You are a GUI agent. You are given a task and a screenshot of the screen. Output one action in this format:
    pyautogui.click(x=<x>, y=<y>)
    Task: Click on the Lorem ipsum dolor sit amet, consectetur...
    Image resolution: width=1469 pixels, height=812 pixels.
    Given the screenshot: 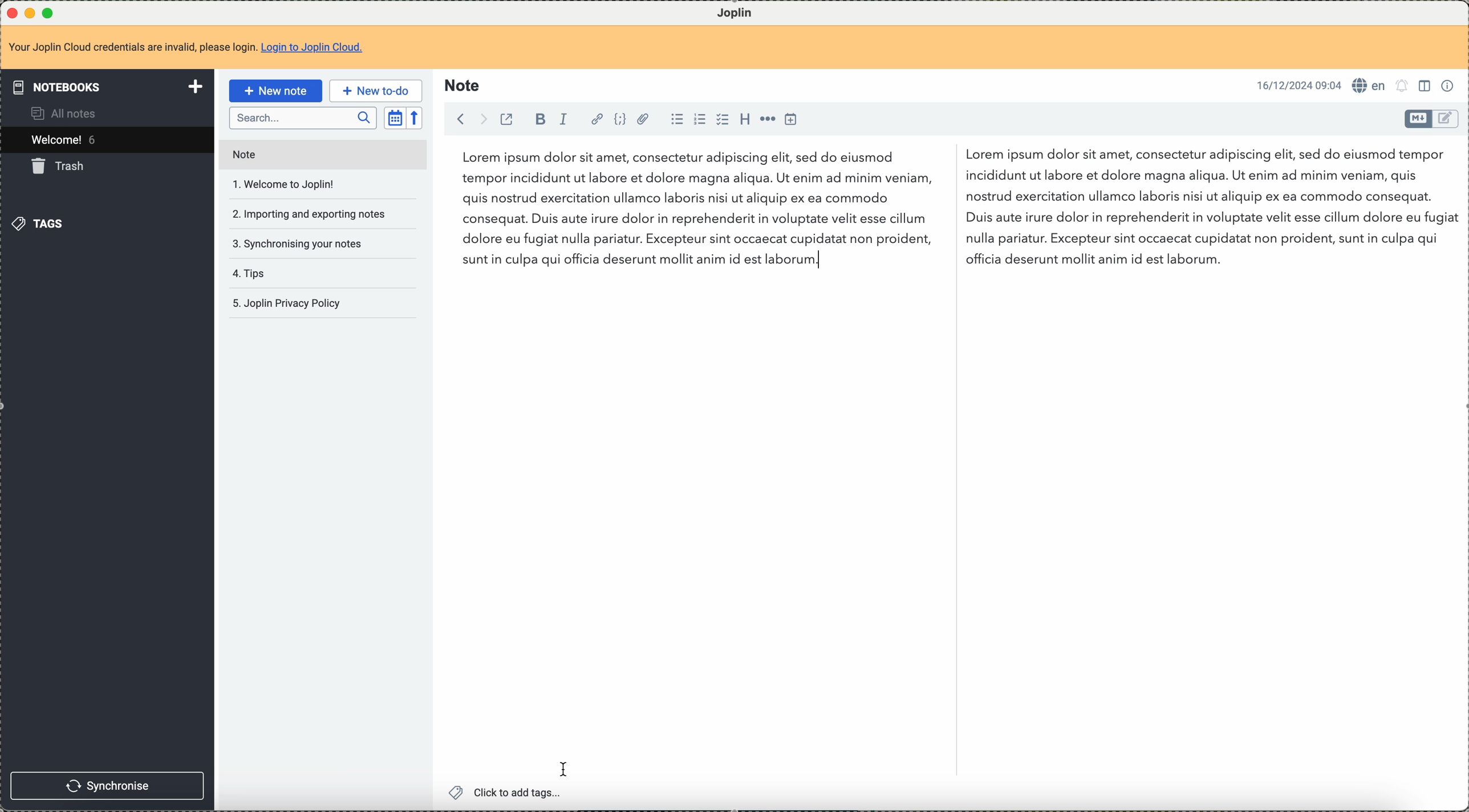 What is the action you would take?
    pyautogui.click(x=1211, y=209)
    